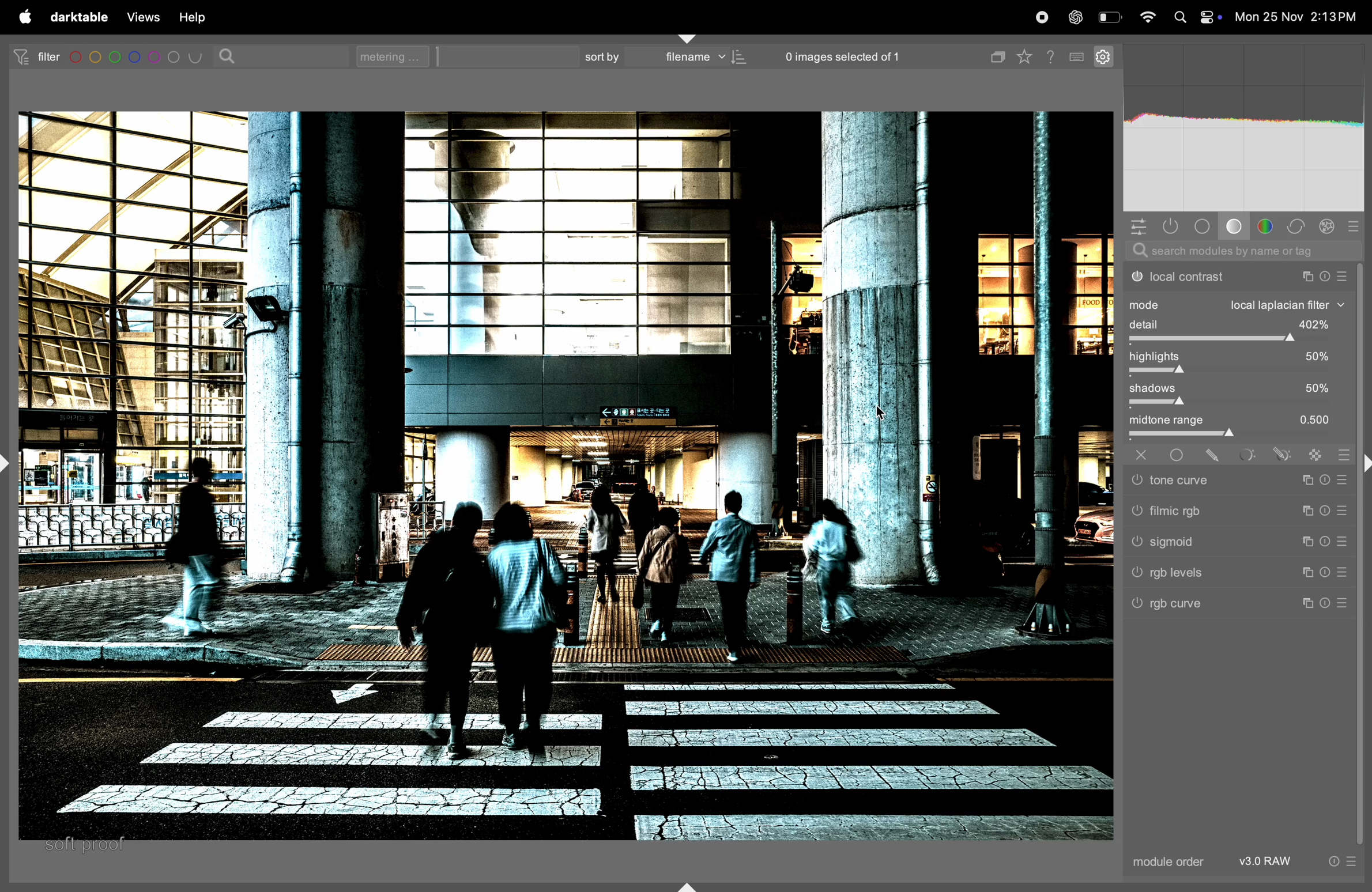 The height and width of the screenshot is (892, 1372). Describe the element at coordinates (1326, 571) in the screenshot. I see `reset` at that location.